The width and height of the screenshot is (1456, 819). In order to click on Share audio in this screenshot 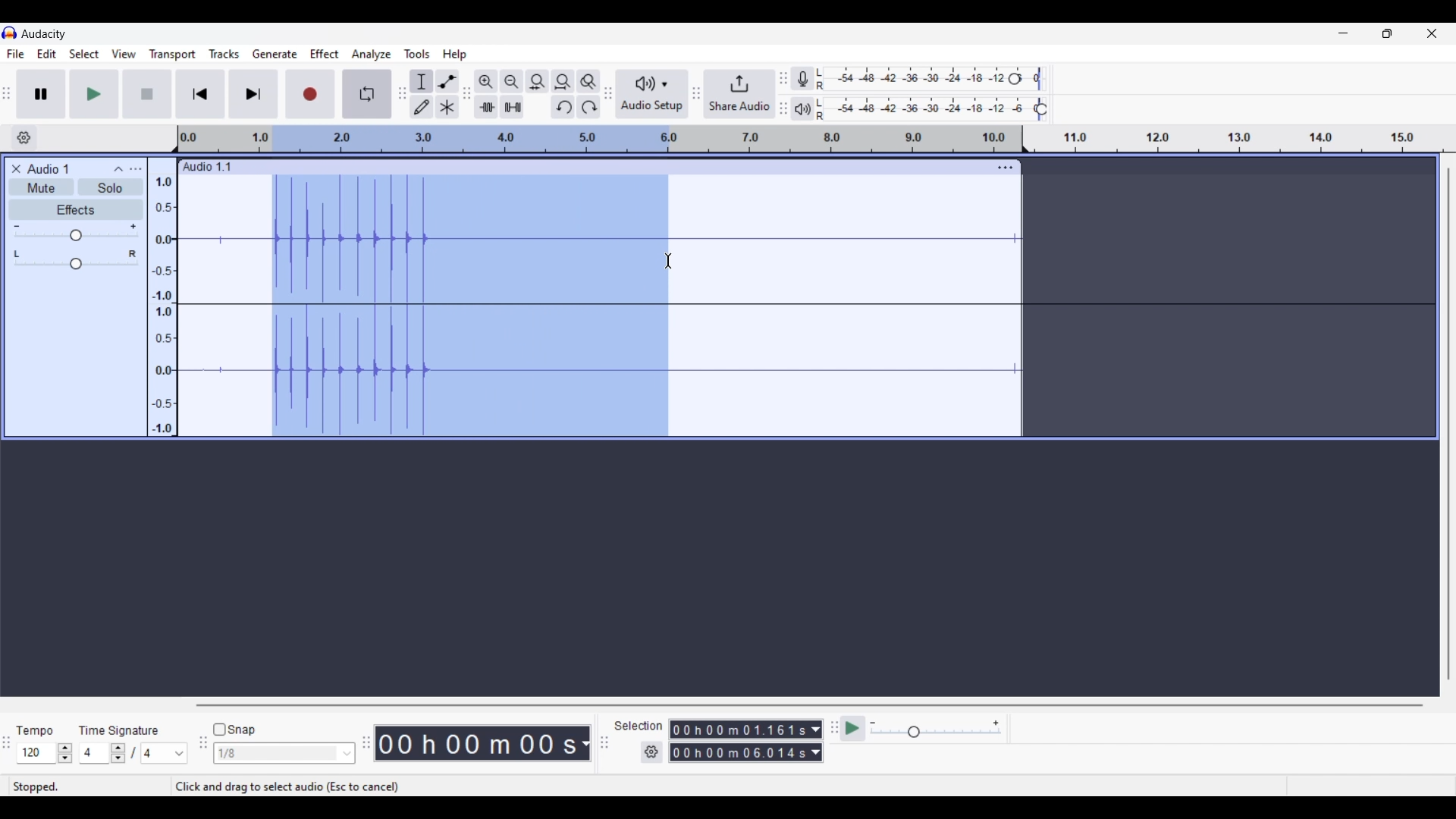, I will do `click(739, 94)`.